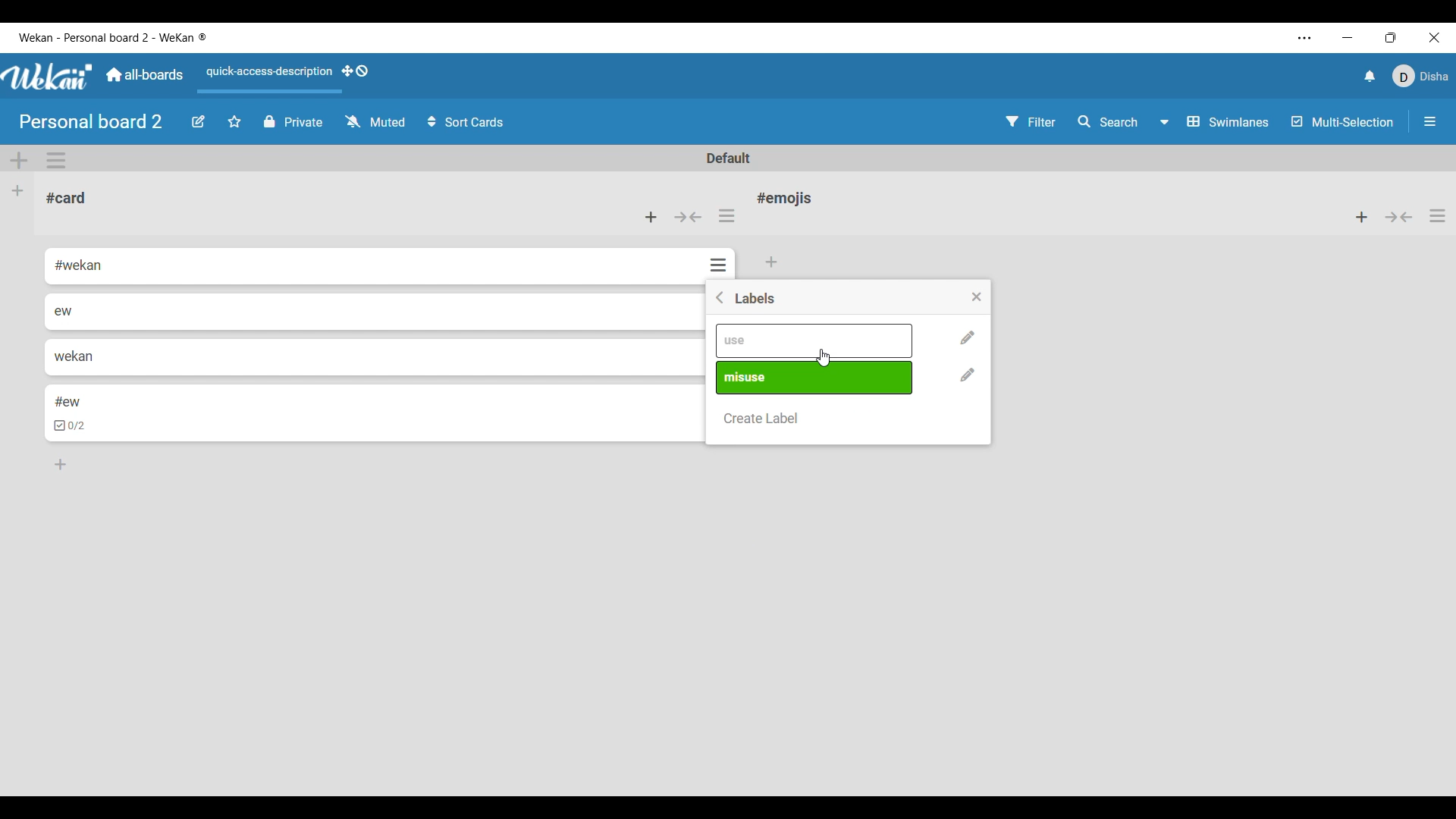 The height and width of the screenshot is (819, 1456). What do you see at coordinates (293, 121) in the screenshot?
I see `Privacy status of current board` at bounding box center [293, 121].